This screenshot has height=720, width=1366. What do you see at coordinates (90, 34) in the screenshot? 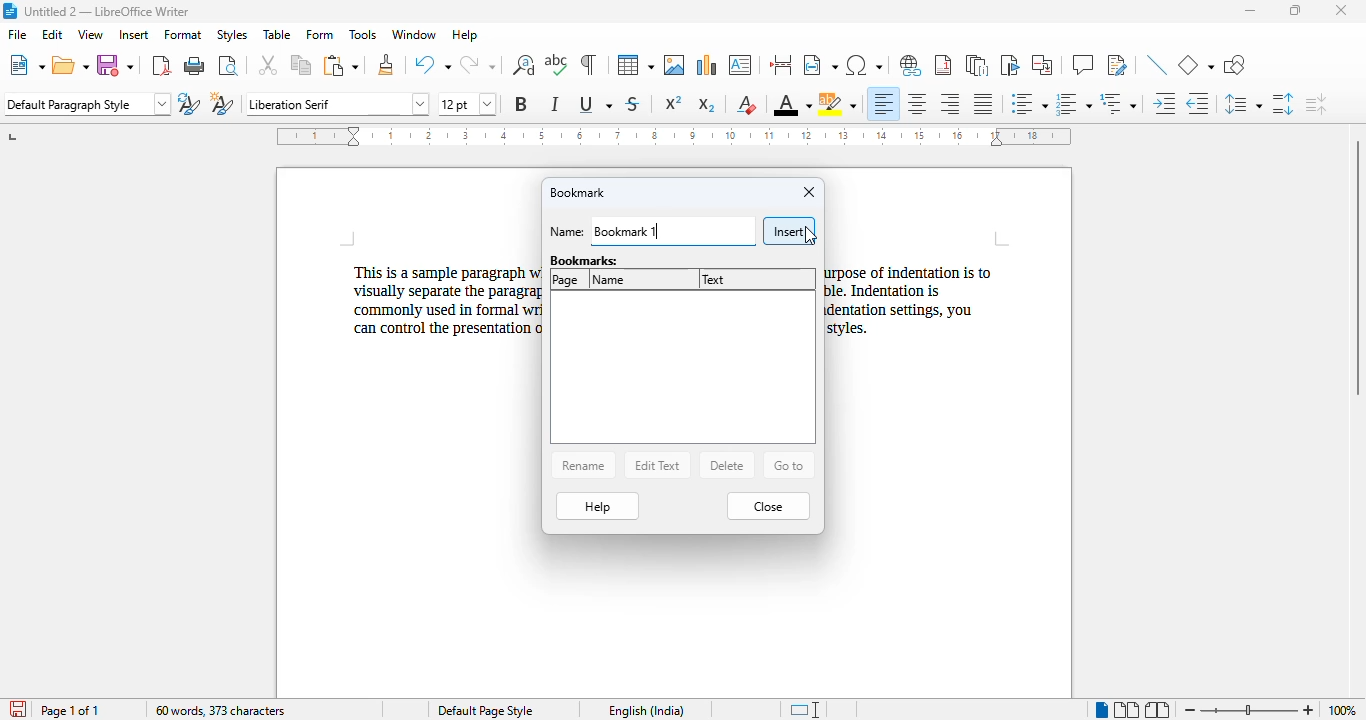
I see `view` at bounding box center [90, 34].